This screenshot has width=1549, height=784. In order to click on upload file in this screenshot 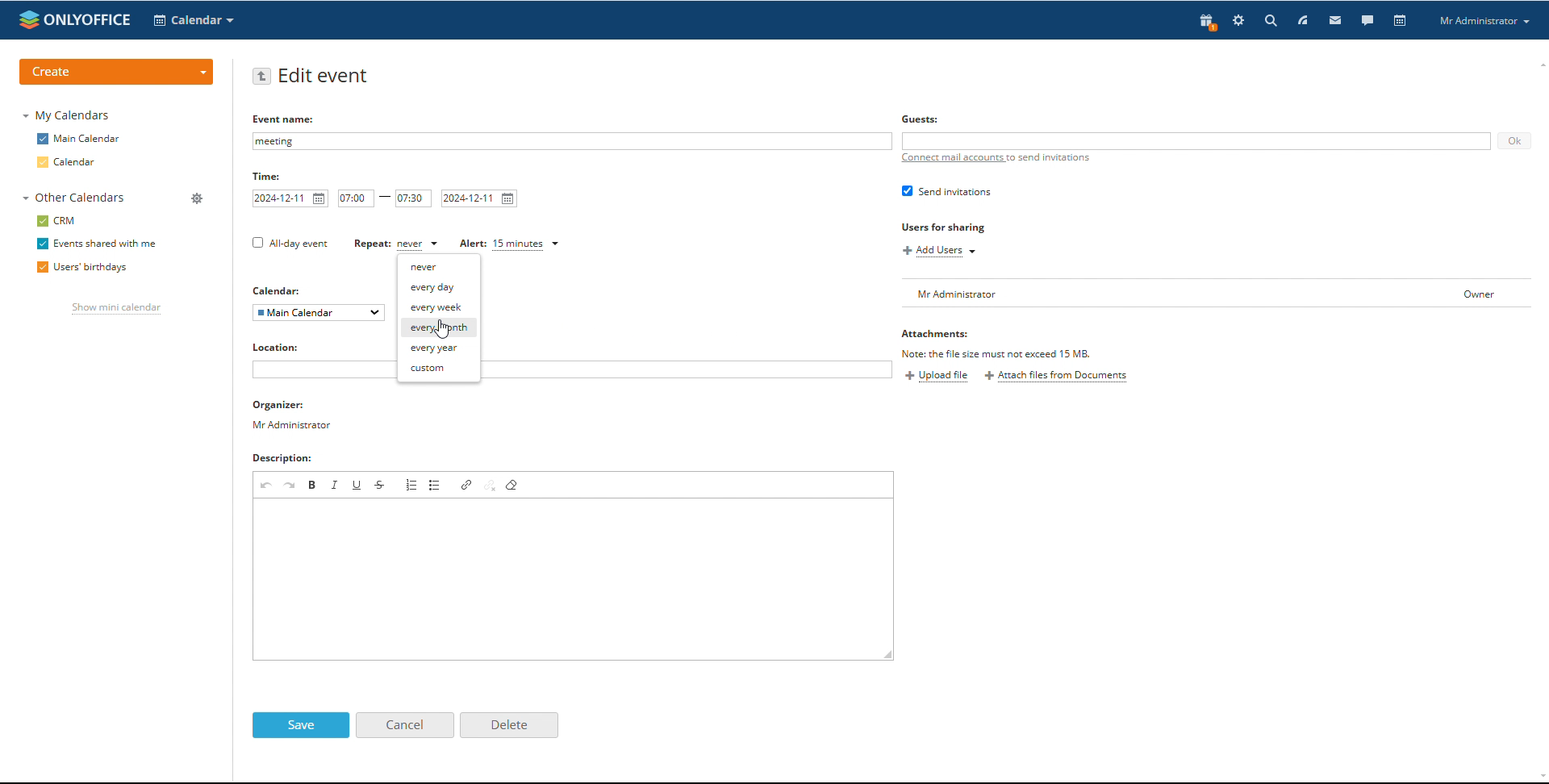, I will do `click(937, 377)`.